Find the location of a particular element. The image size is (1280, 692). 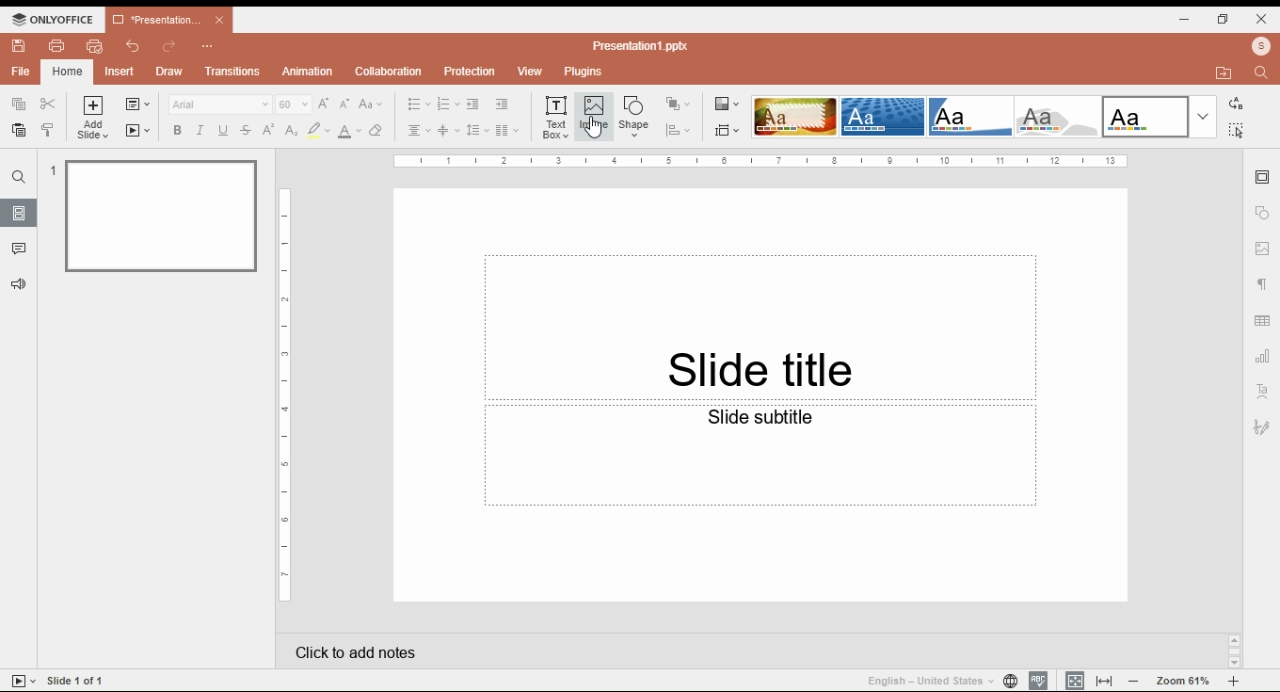

collaboration is located at coordinates (388, 71).